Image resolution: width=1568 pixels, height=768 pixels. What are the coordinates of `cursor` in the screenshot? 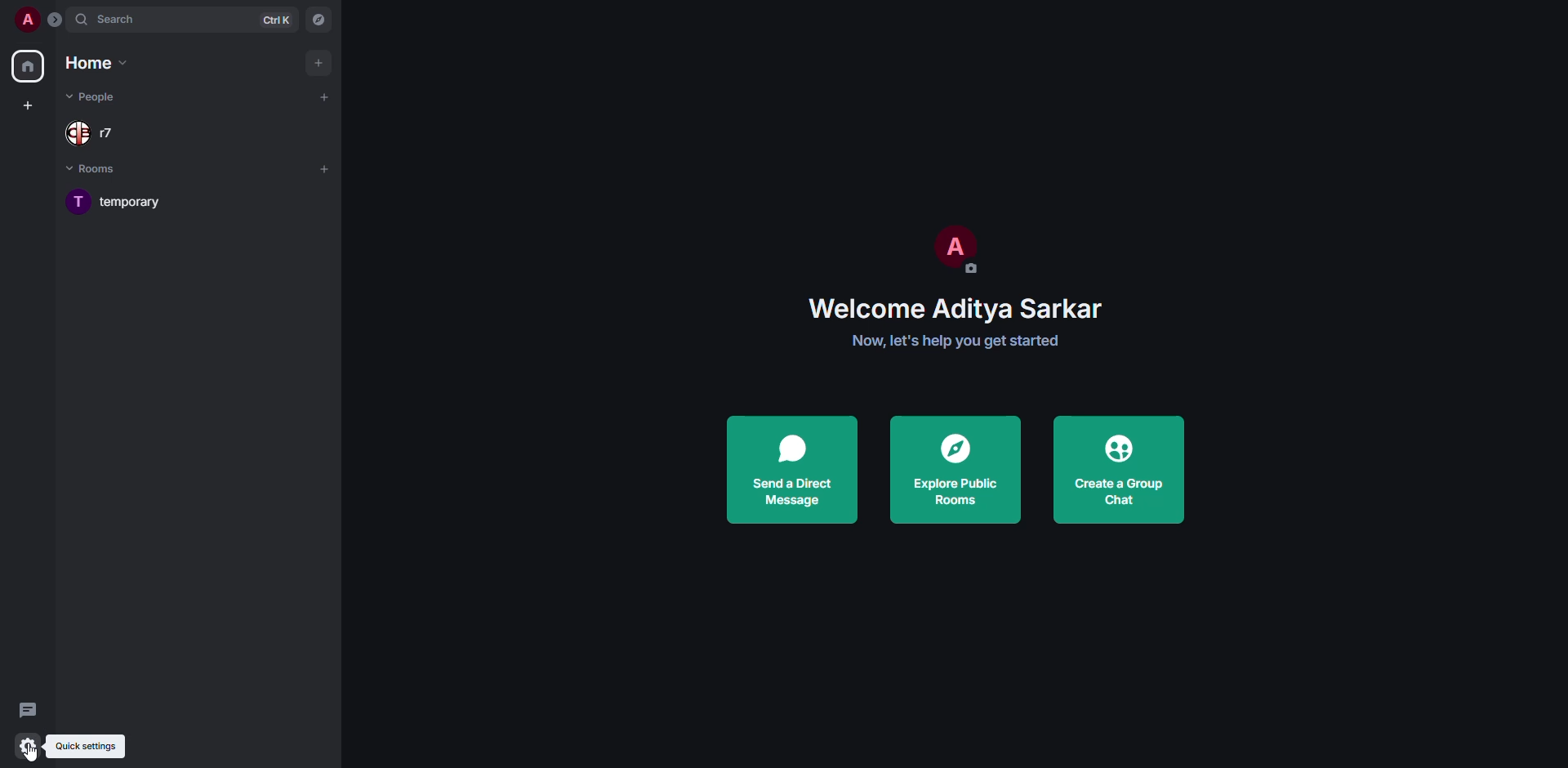 It's located at (38, 752).